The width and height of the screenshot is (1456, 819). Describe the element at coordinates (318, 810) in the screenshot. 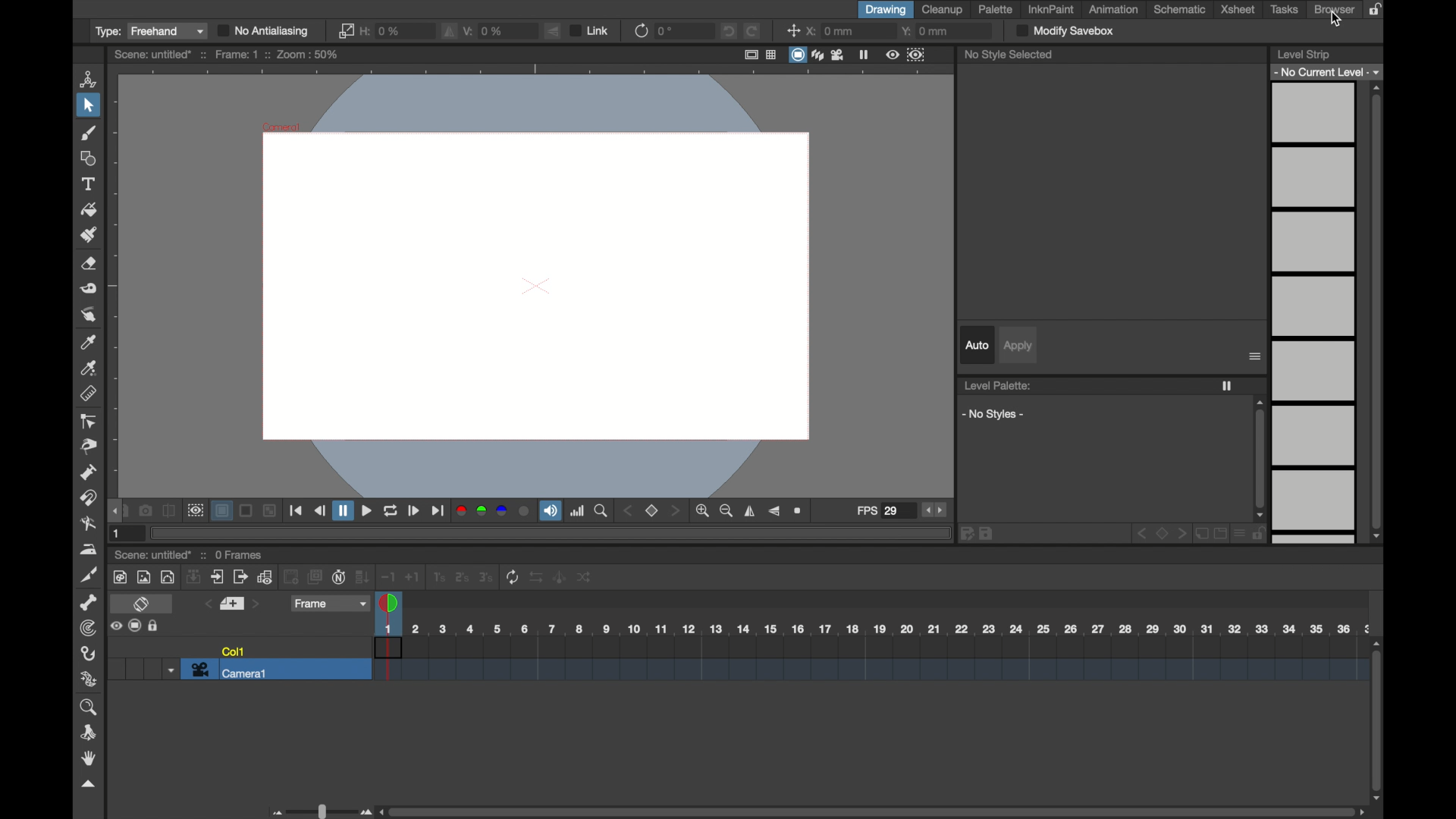

I see `slider` at that location.